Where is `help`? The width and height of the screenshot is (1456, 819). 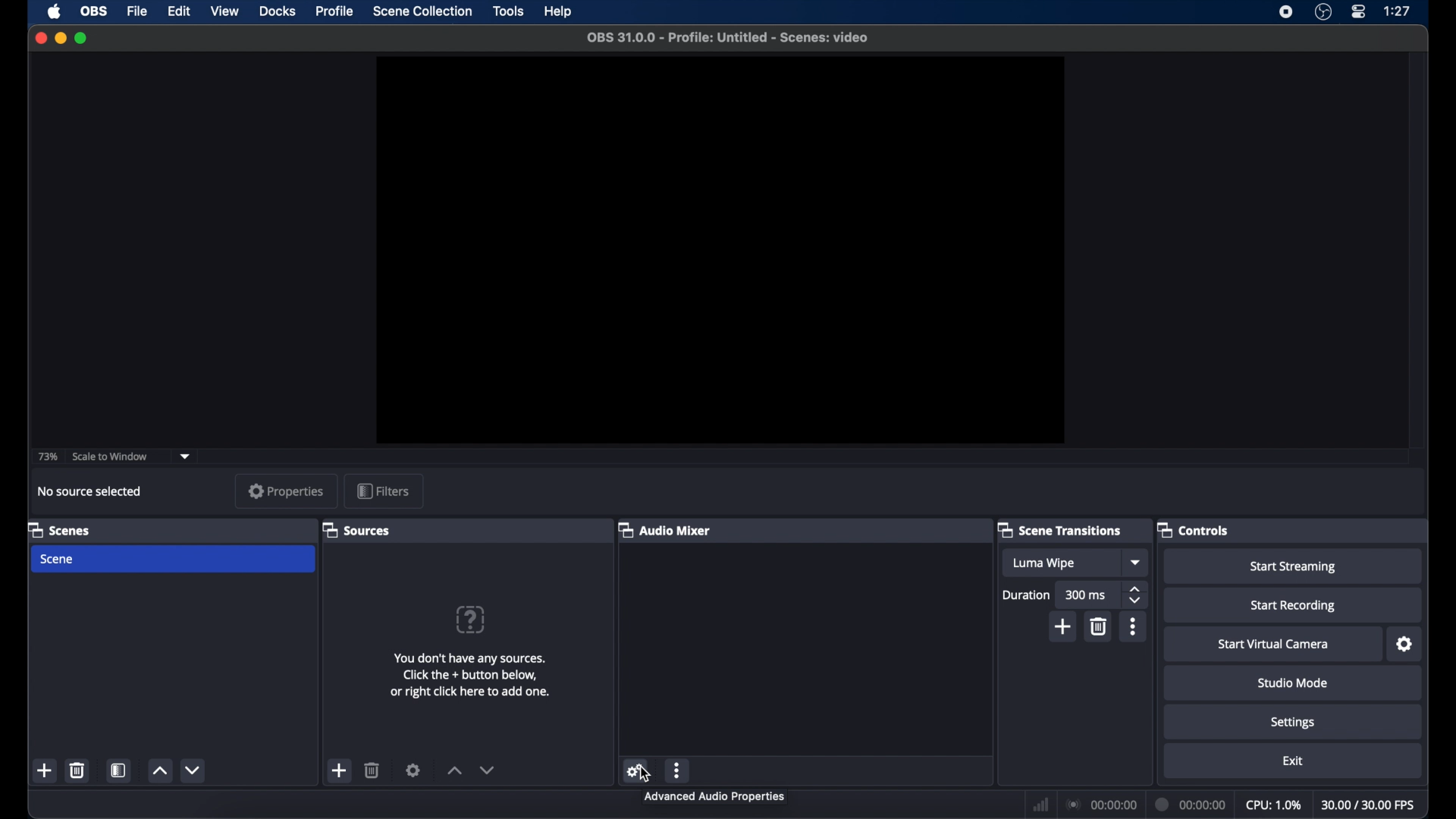 help is located at coordinates (559, 11).